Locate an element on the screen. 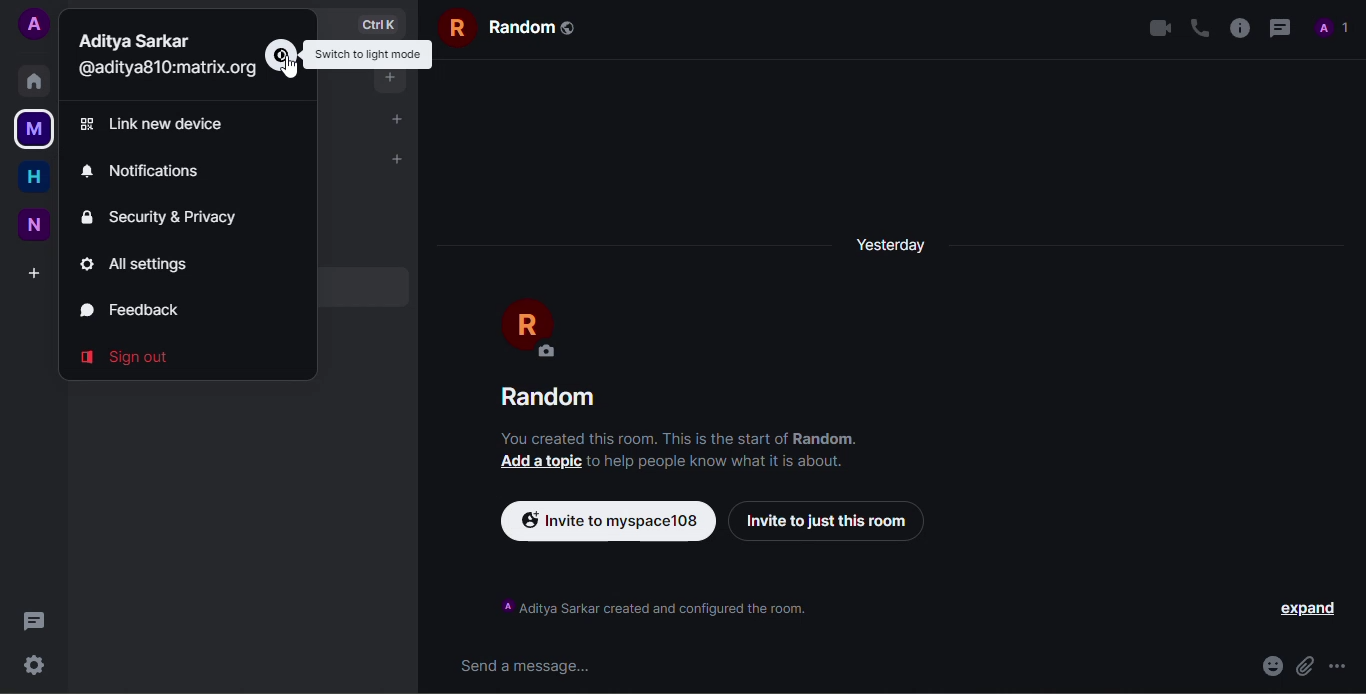 This screenshot has height=694, width=1366. accout is located at coordinates (34, 25).